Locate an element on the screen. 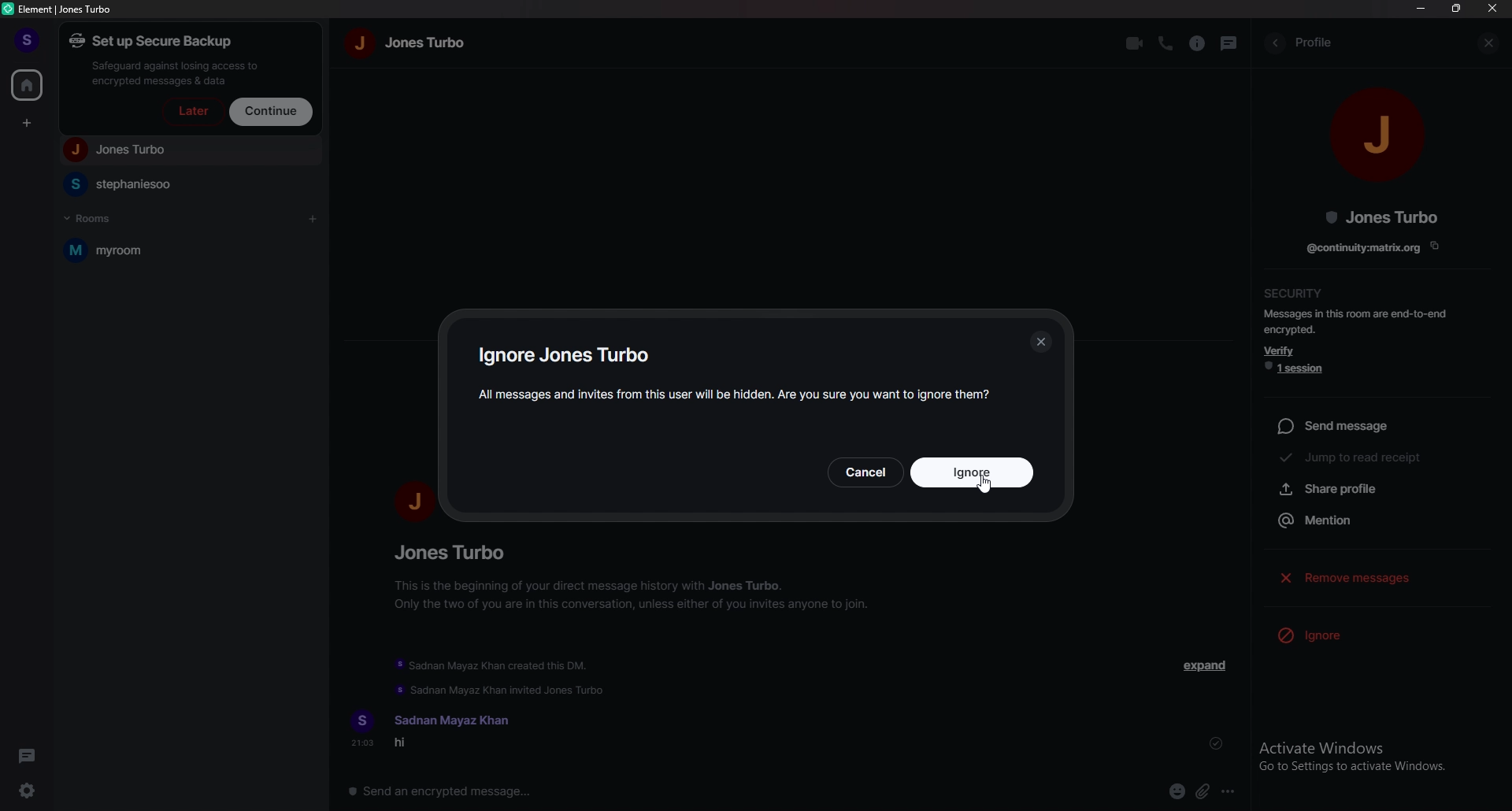 The image size is (1512, 811). continue is located at coordinates (272, 111).